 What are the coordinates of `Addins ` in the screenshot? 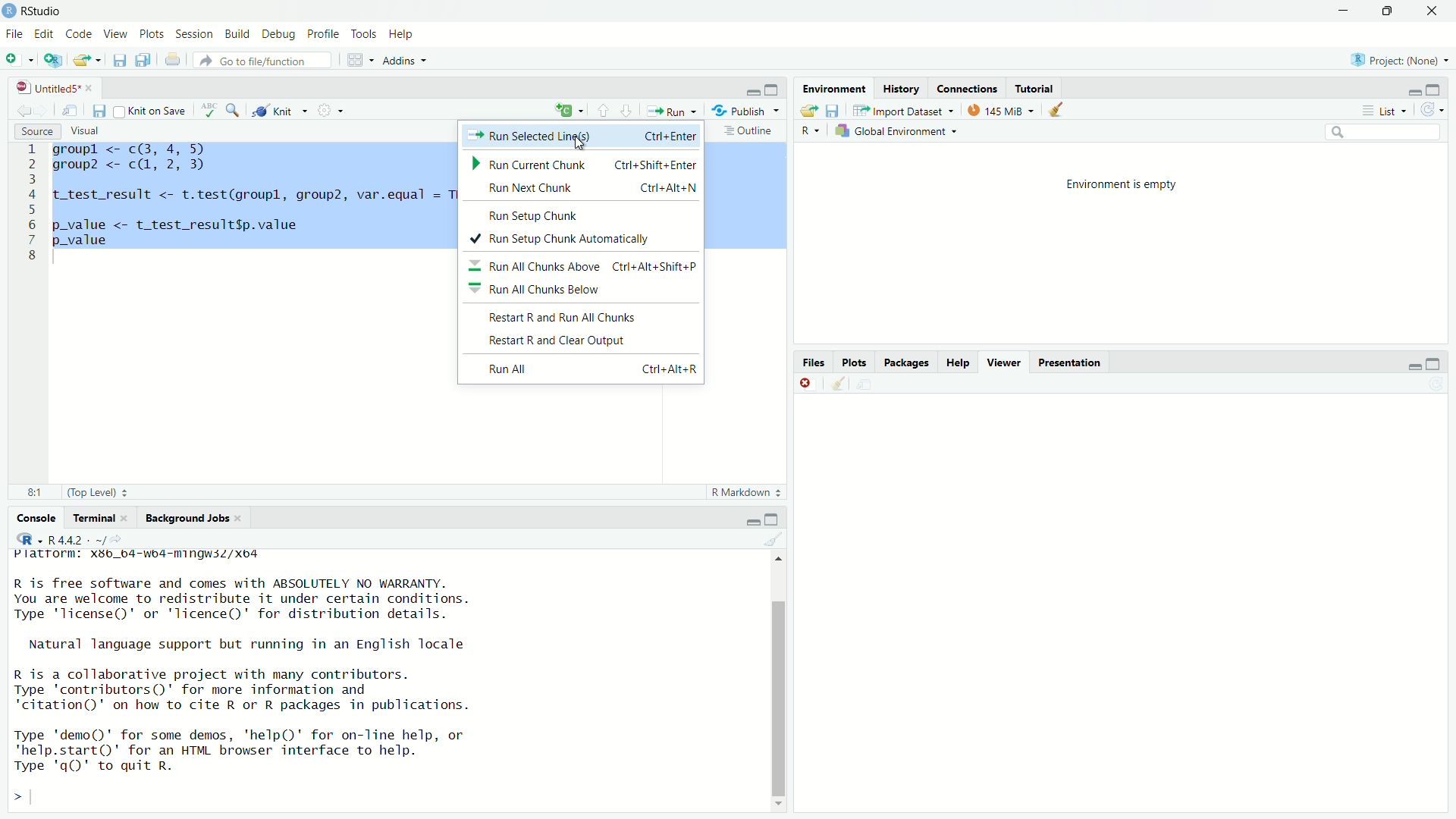 It's located at (400, 61).